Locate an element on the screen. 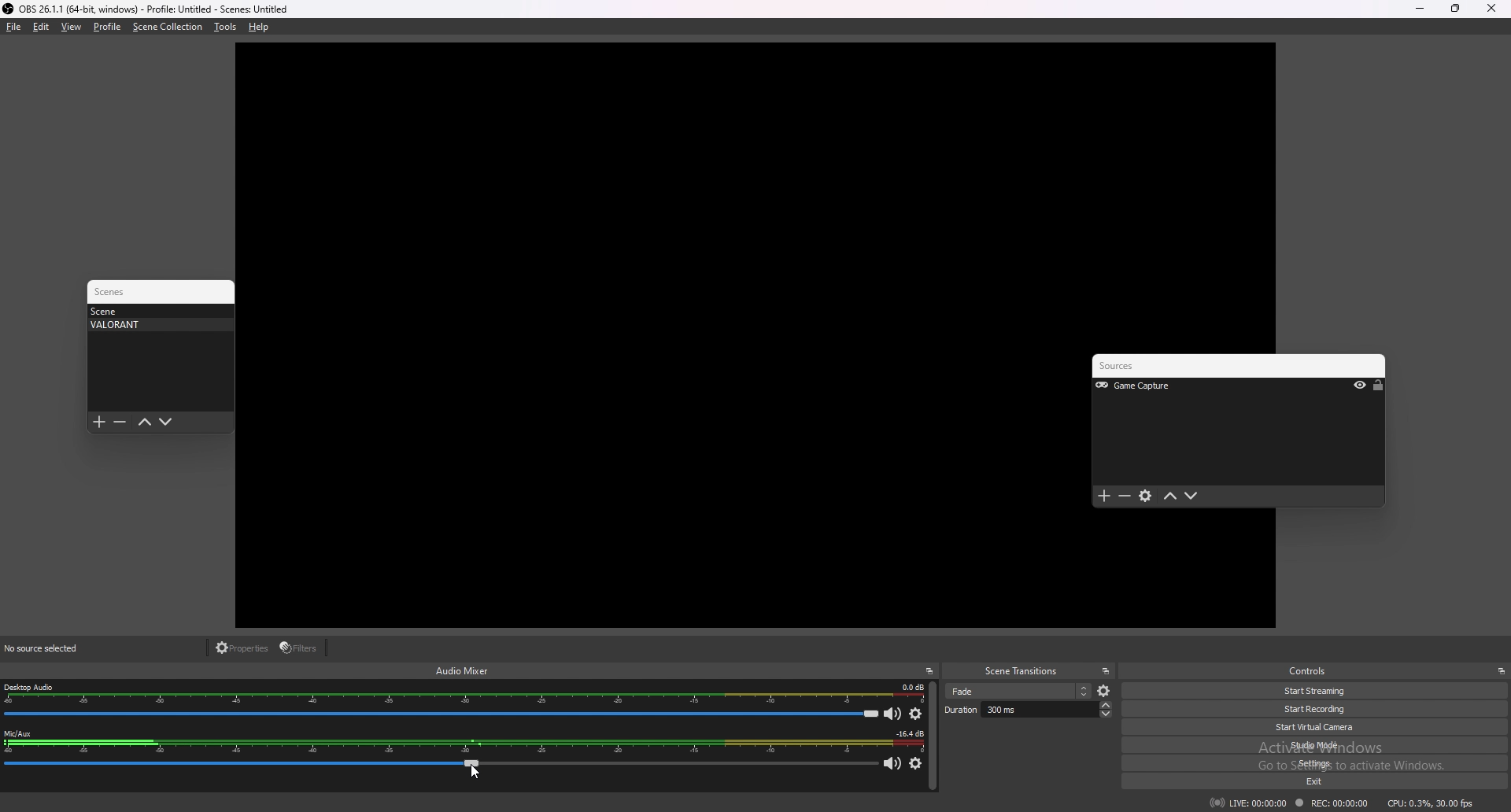 Image resolution: width=1511 pixels, height=812 pixels. scene collection is located at coordinates (168, 27).